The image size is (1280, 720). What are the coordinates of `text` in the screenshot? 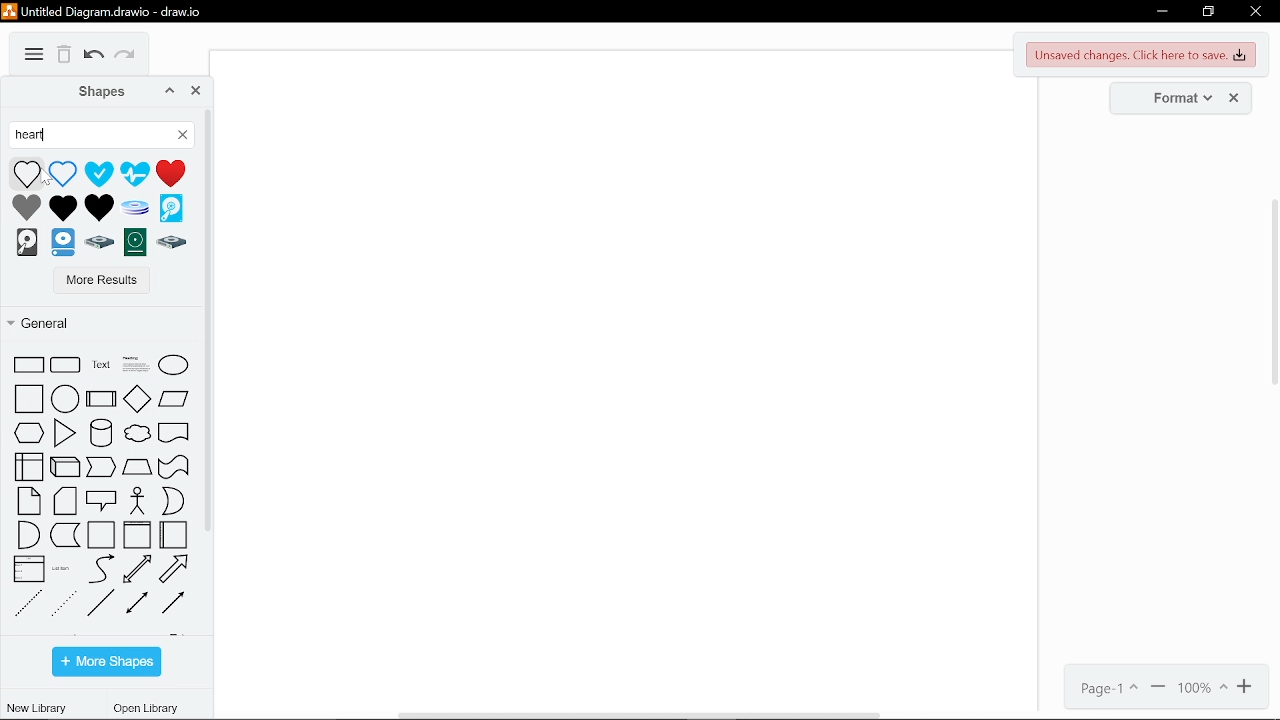 It's located at (101, 363).